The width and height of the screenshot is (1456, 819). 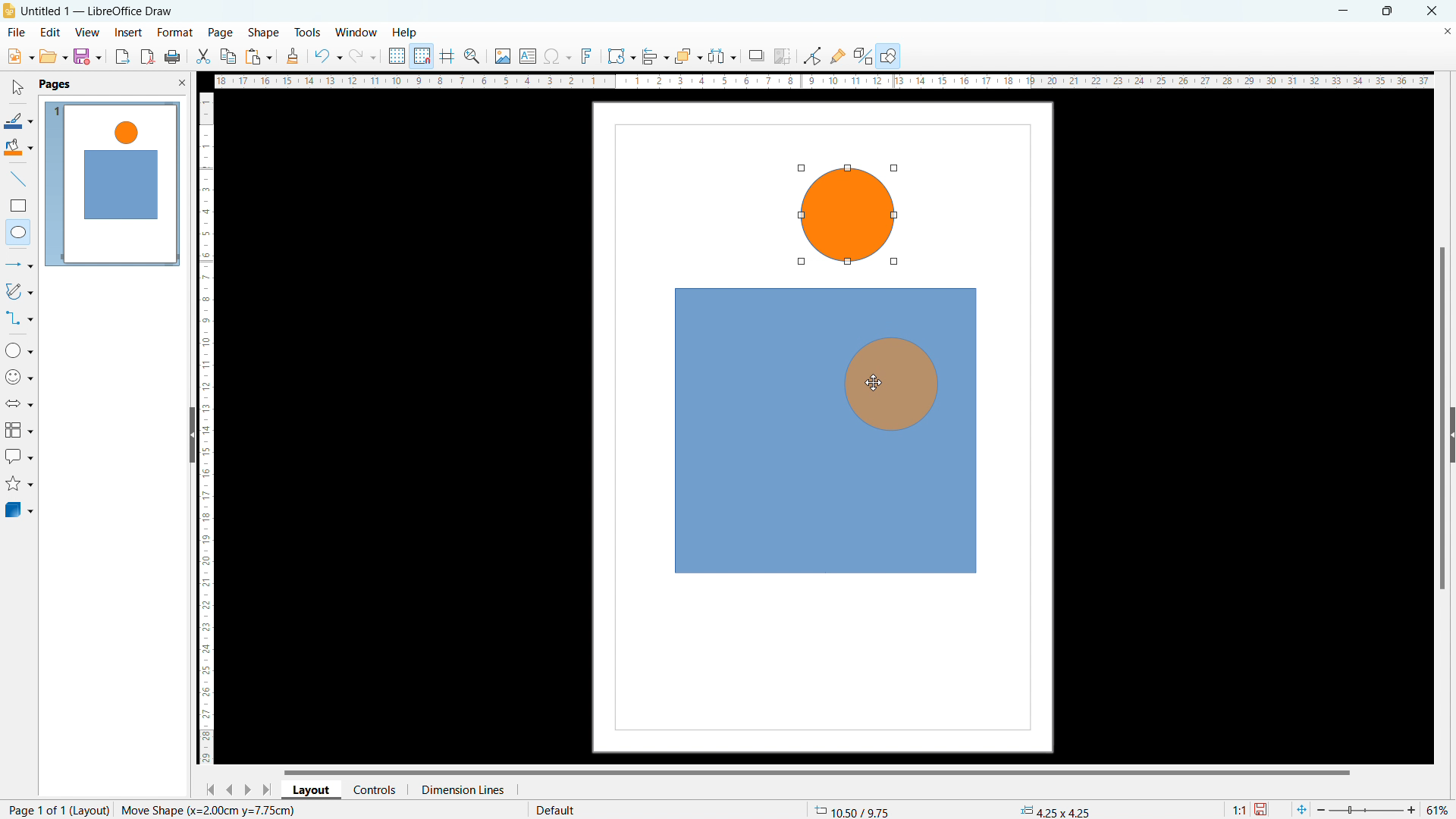 What do you see at coordinates (755, 56) in the screenshot?
I see `shadow` at bounding box center [755, 56].